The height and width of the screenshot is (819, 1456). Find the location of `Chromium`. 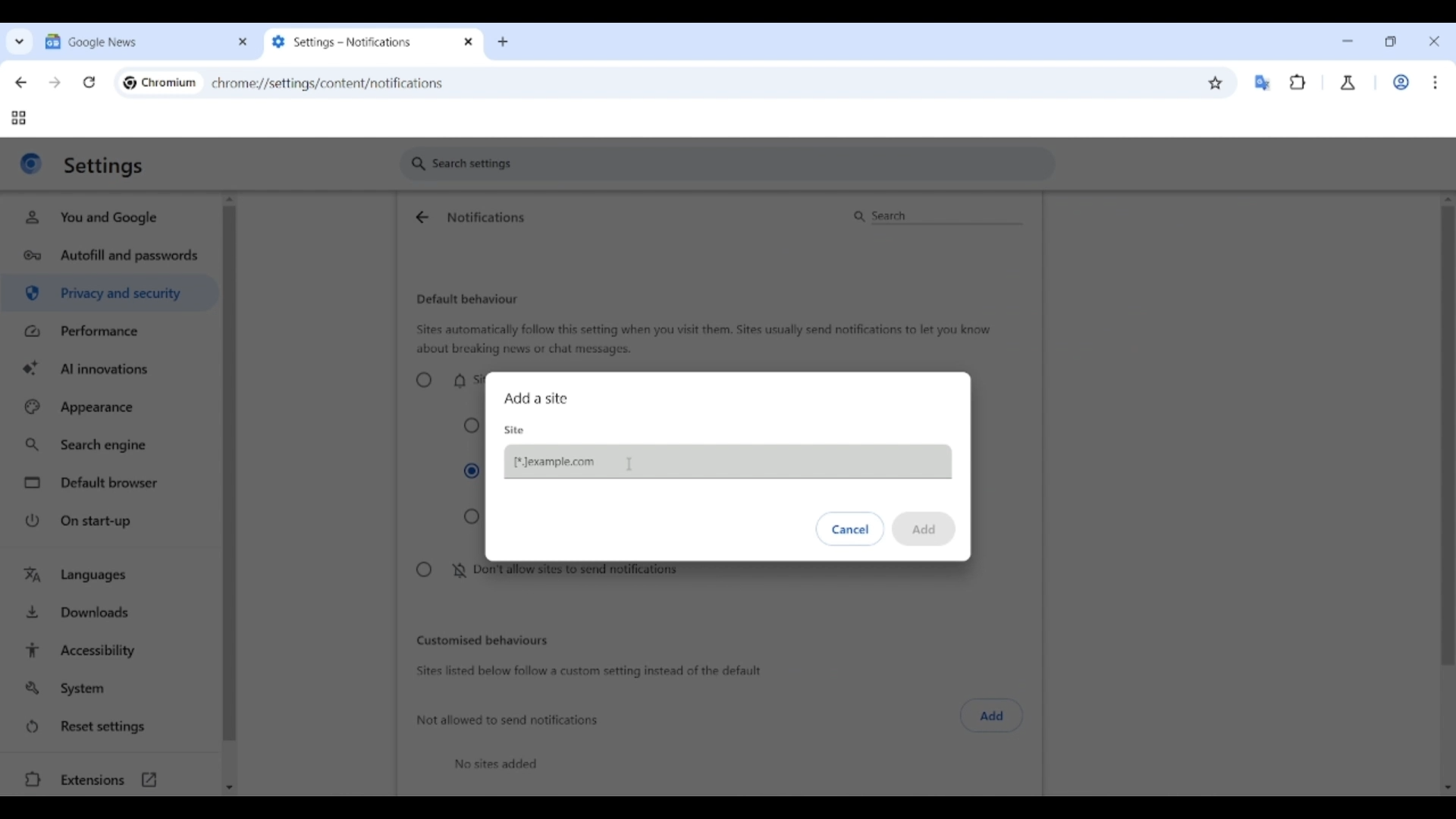

Chromium is located at coordinates (169, 82).